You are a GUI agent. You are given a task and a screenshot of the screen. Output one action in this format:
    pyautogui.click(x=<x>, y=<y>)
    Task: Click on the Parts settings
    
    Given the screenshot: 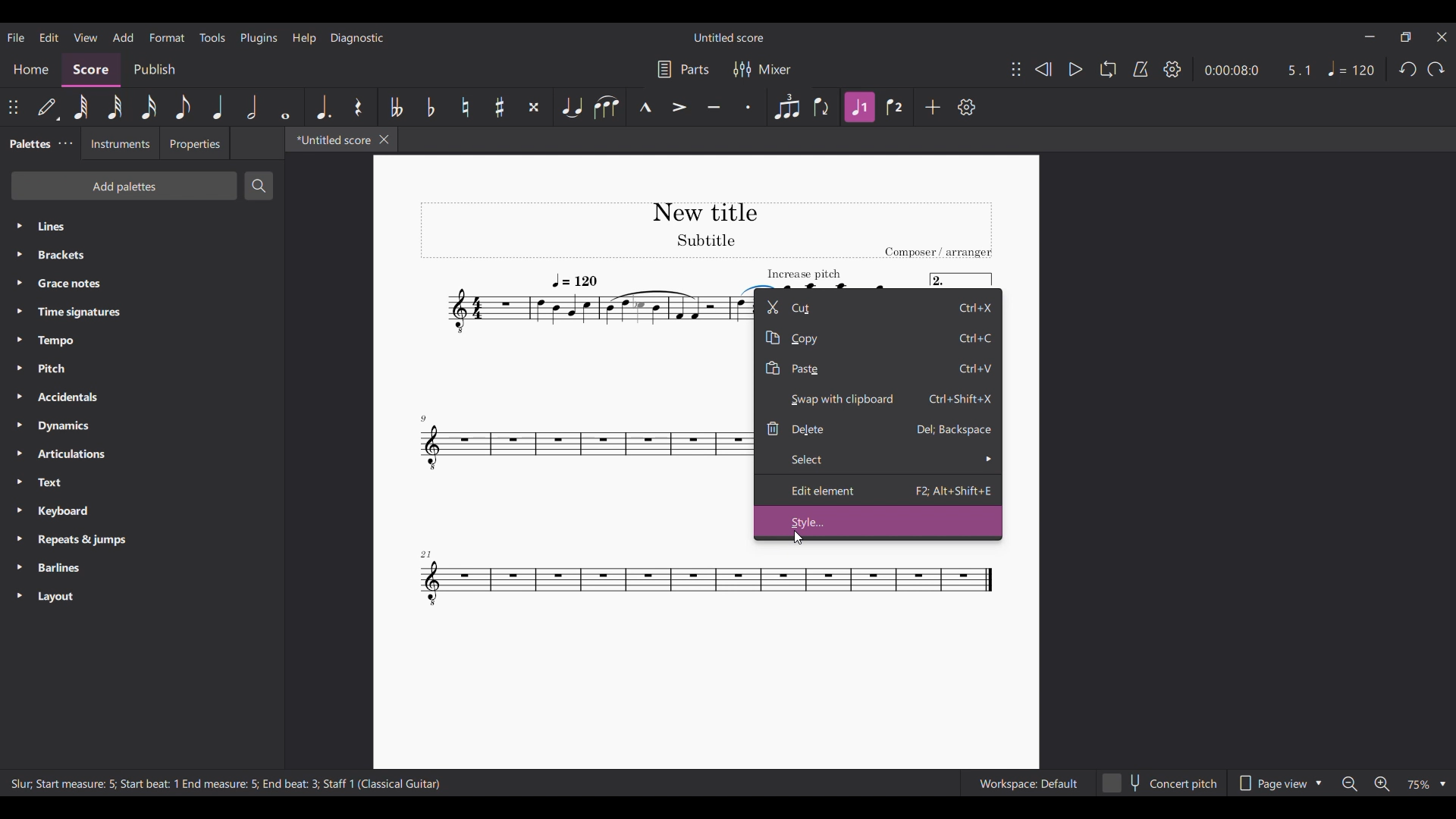 What is the action you would take?
    pyautogui.click(x=683, y=69)
    